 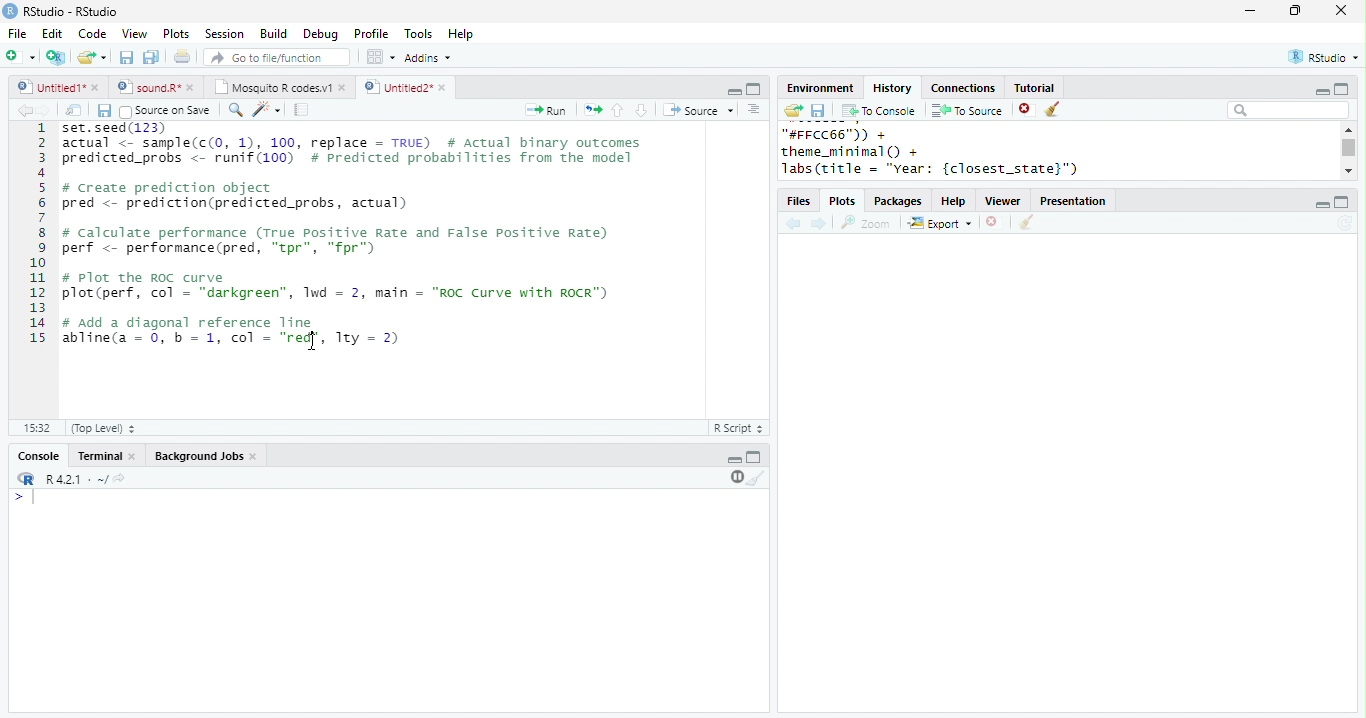 What do you see at coordinates (995, 223) in the screenshot?
I see `close file` at bounding box center [995, 223].